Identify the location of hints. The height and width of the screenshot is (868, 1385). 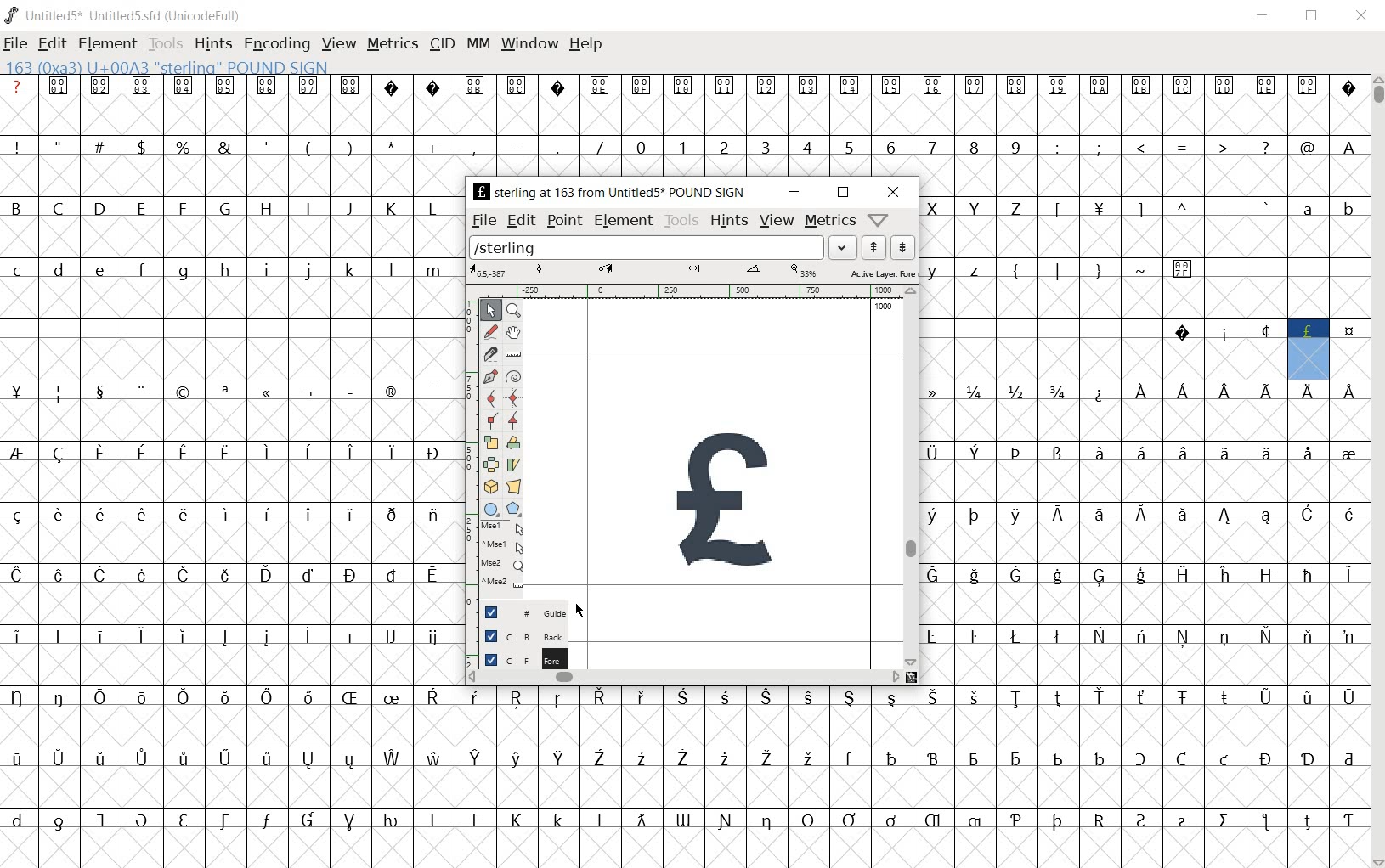
(729, 219).